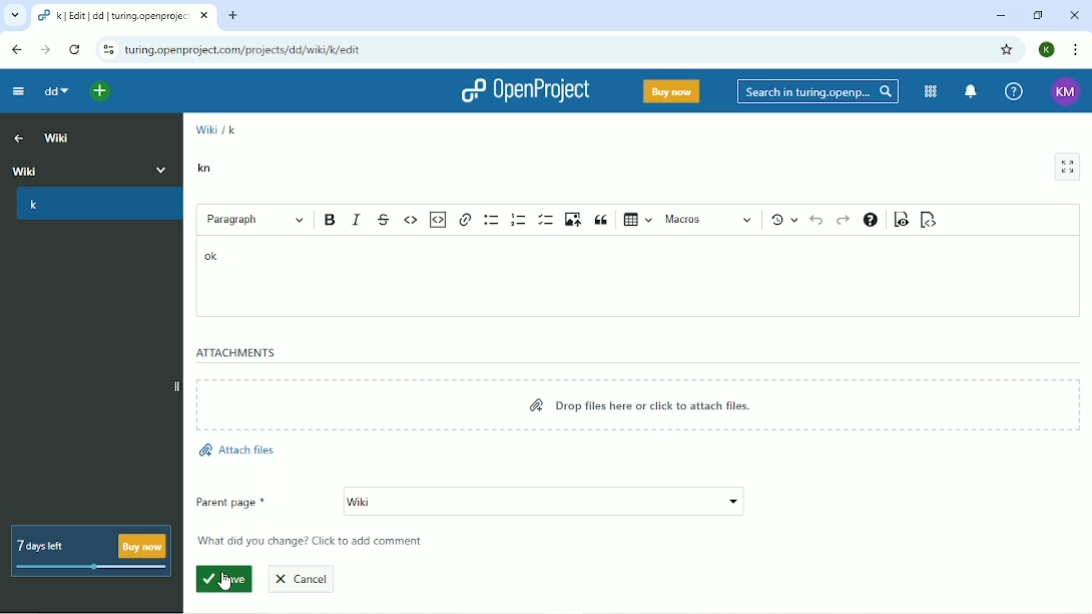 This screenshot has width=1092, height=614. What do you see at coordinates (233, 128) in the screenshot?
I see `k` at bounding box center [233, 128].